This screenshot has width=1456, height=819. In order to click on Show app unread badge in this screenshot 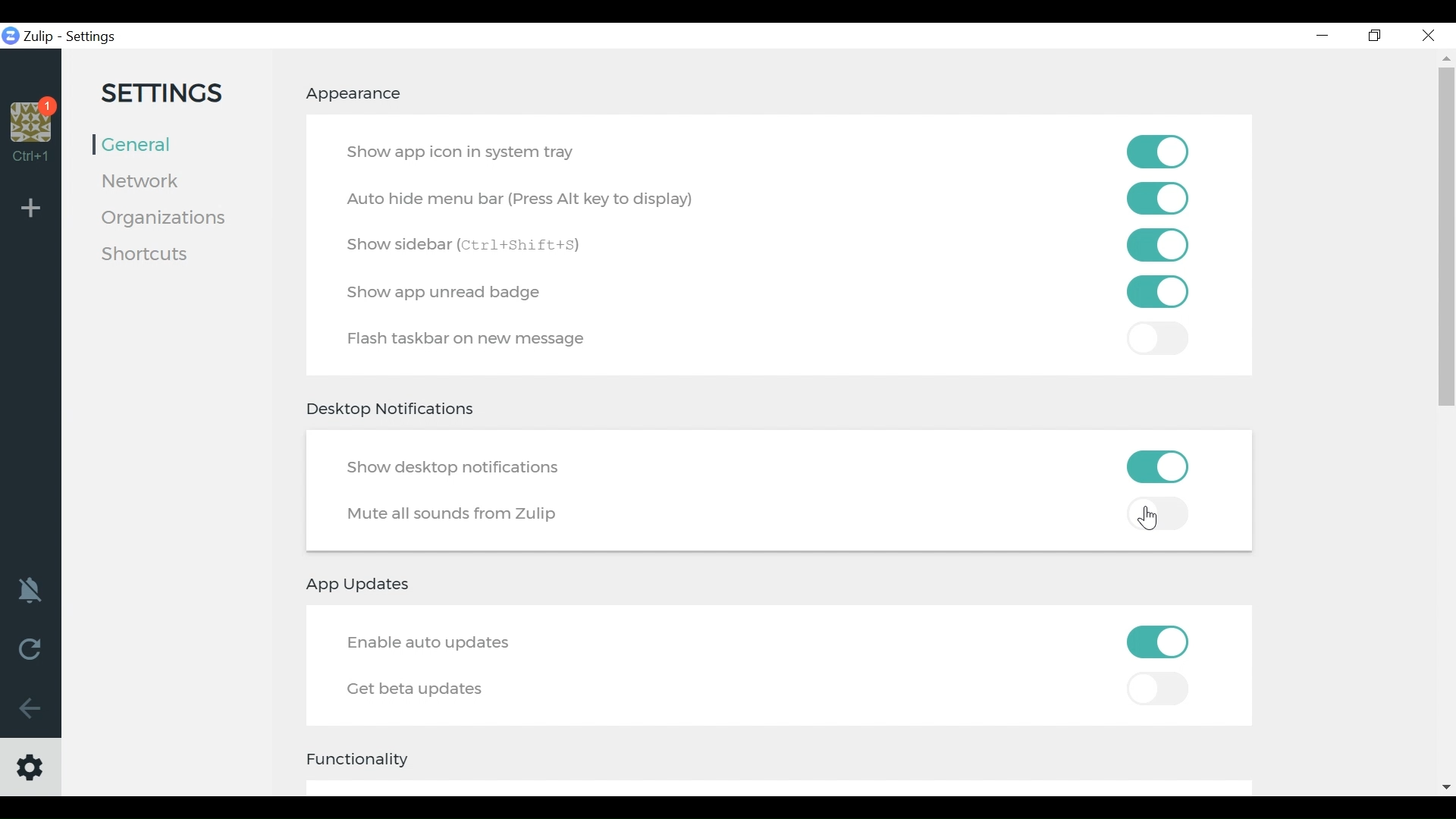, I will do `click(450, 293)`.